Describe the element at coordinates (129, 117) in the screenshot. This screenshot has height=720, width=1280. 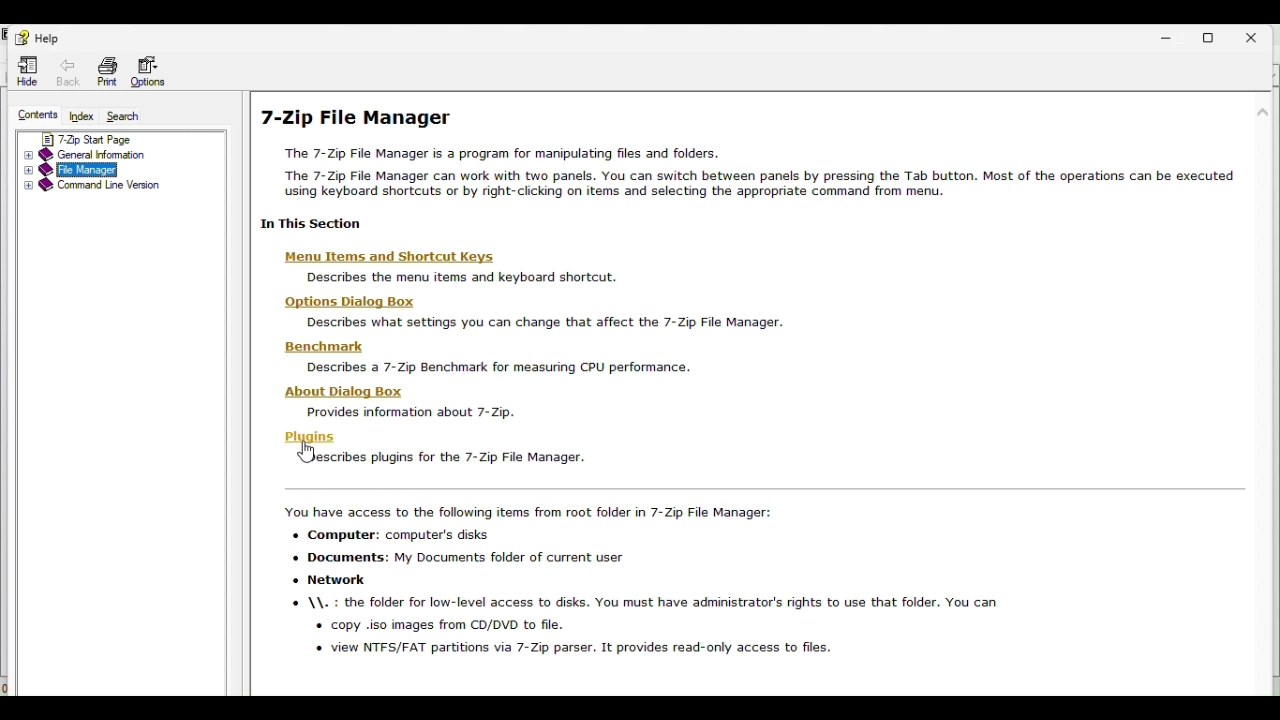
I see `Search` at that location.